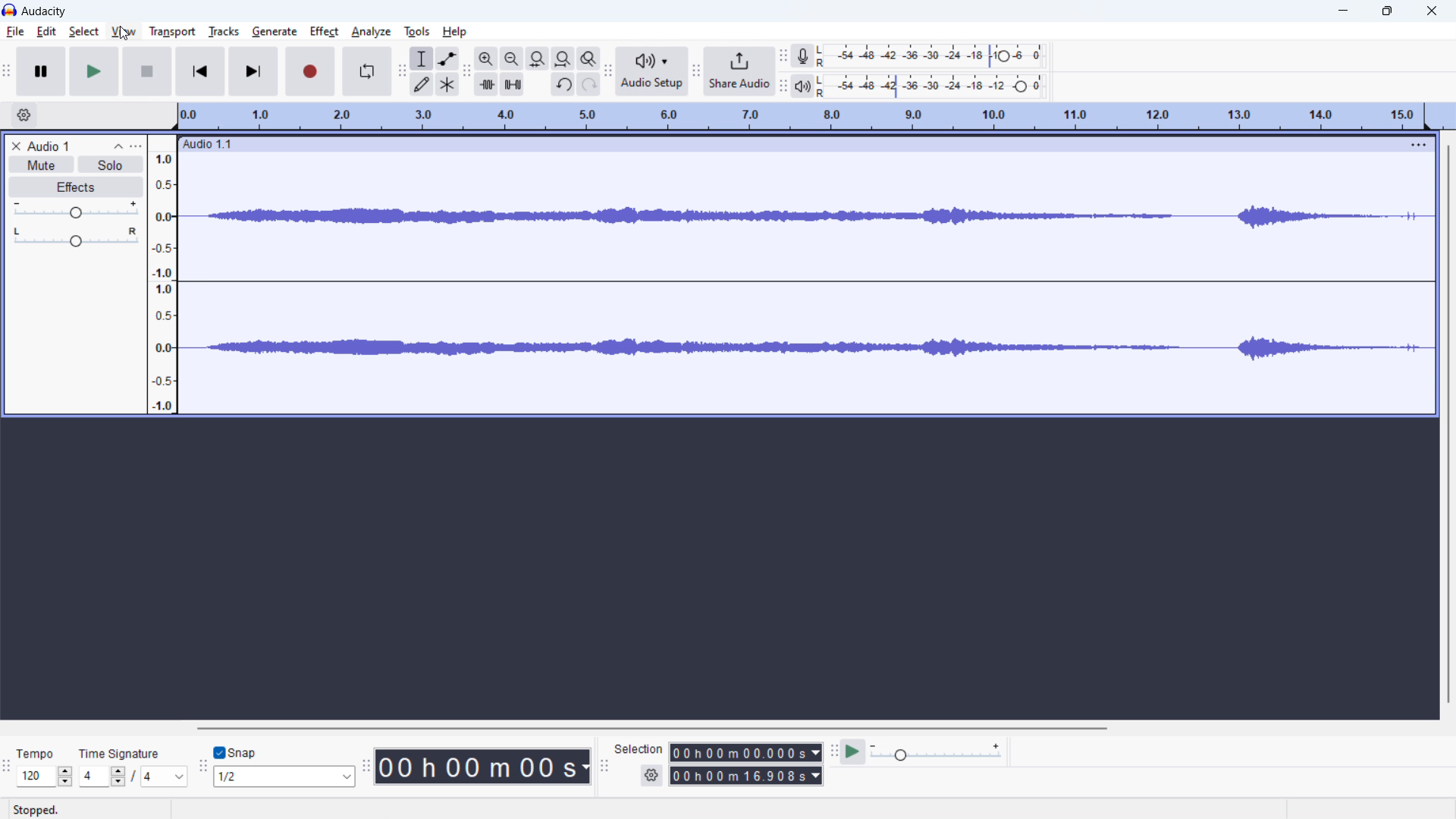 The height and width of the screenshot is (819, 1456). I want to click on redo, so click(589, 84).